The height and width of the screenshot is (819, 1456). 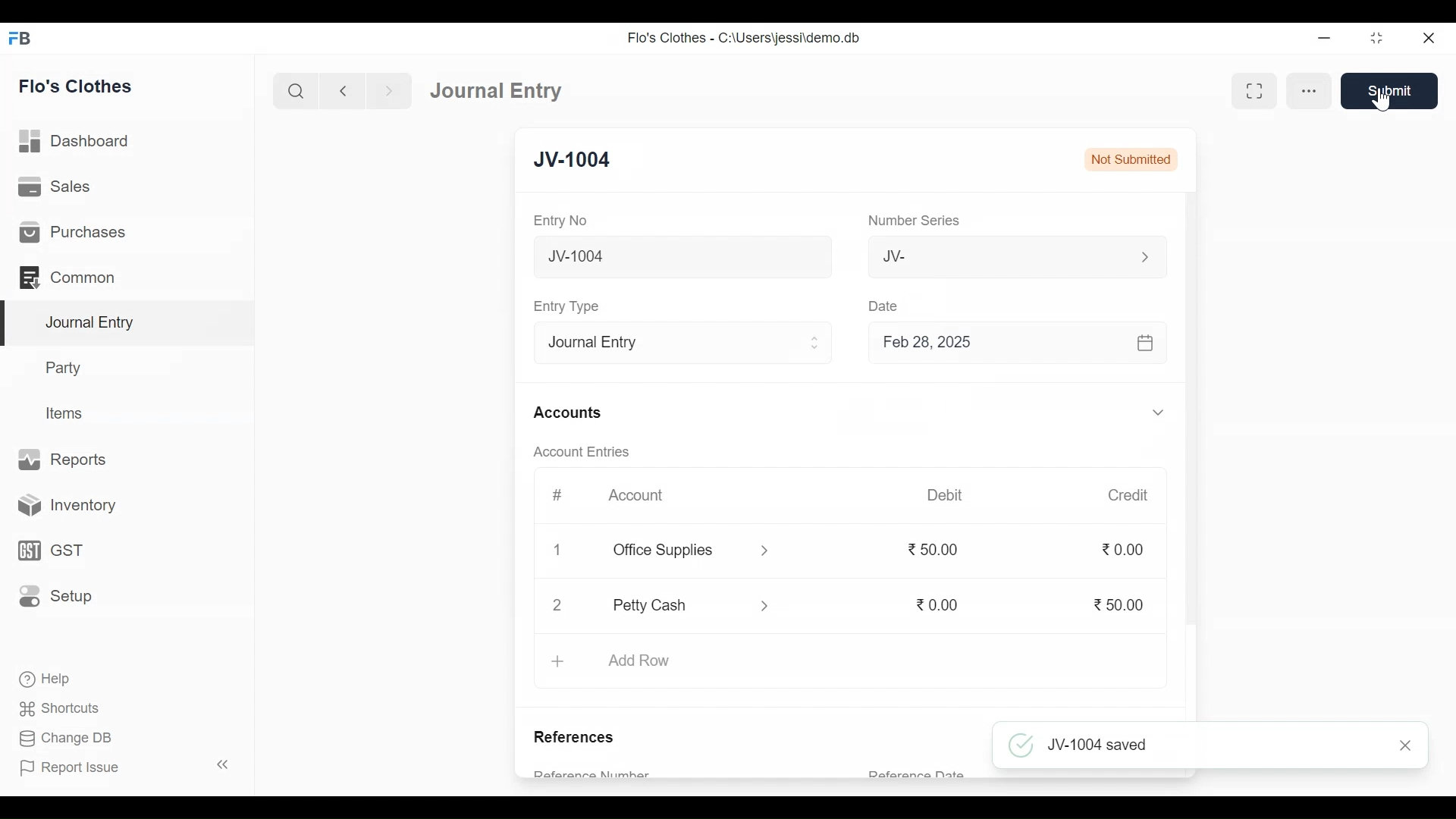 What do you see at coordinates (560, 220) in the screenshot?
I see `Entry No` at bounding box center [560, 220].